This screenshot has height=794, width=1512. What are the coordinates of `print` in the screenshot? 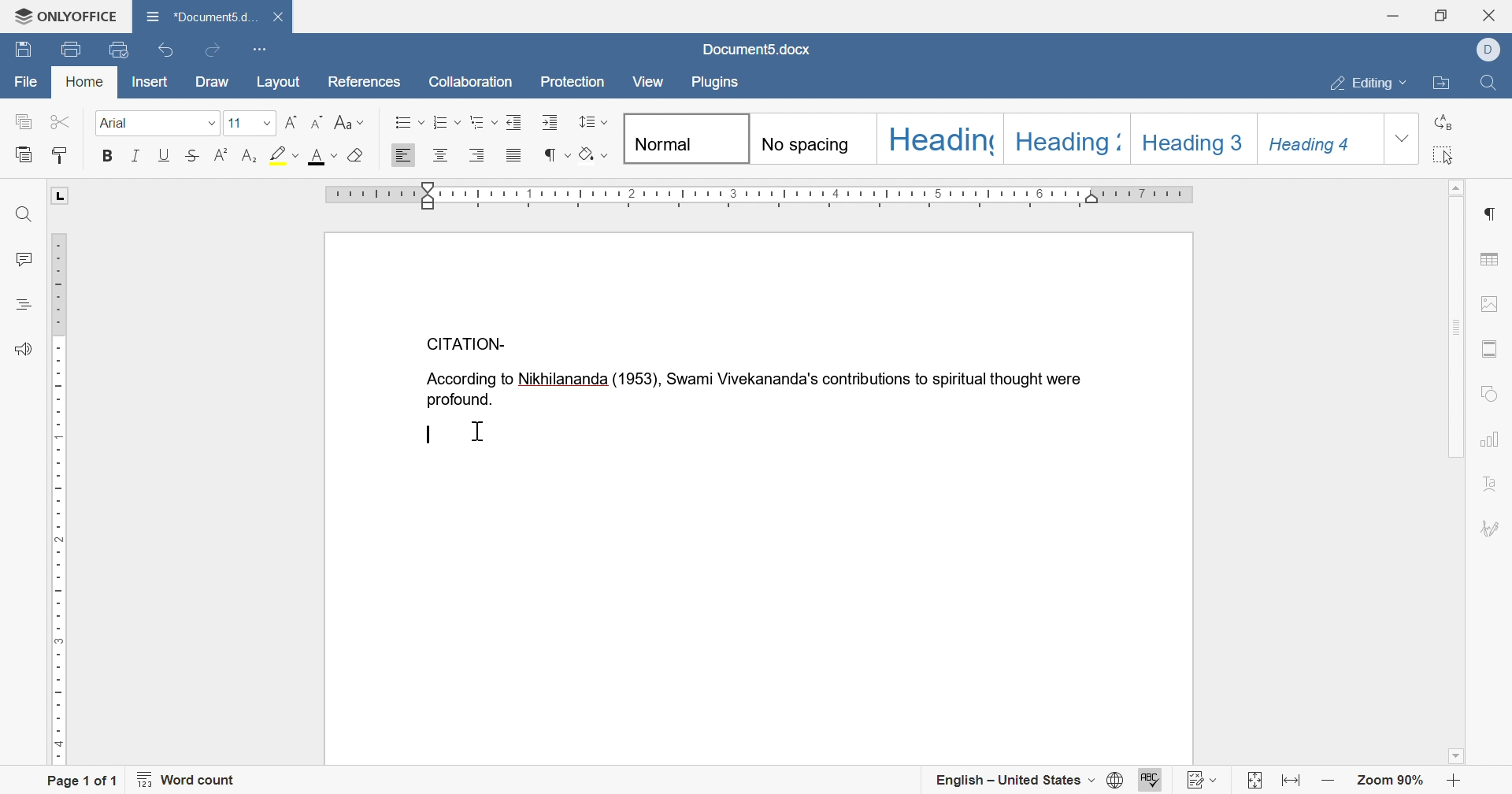 It's located at (70, 49).